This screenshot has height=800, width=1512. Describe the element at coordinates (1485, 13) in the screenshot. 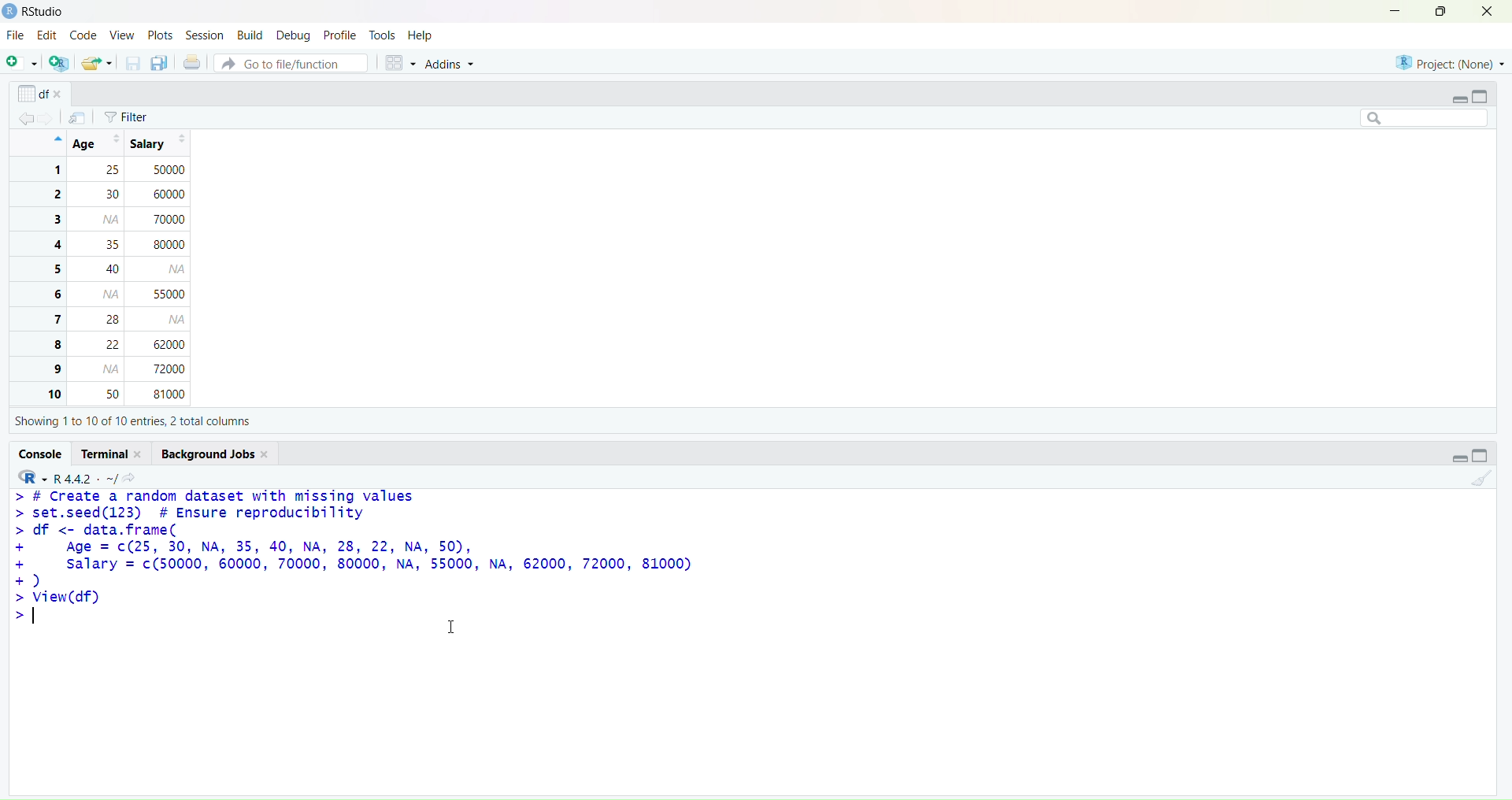

I see `close` at that location.